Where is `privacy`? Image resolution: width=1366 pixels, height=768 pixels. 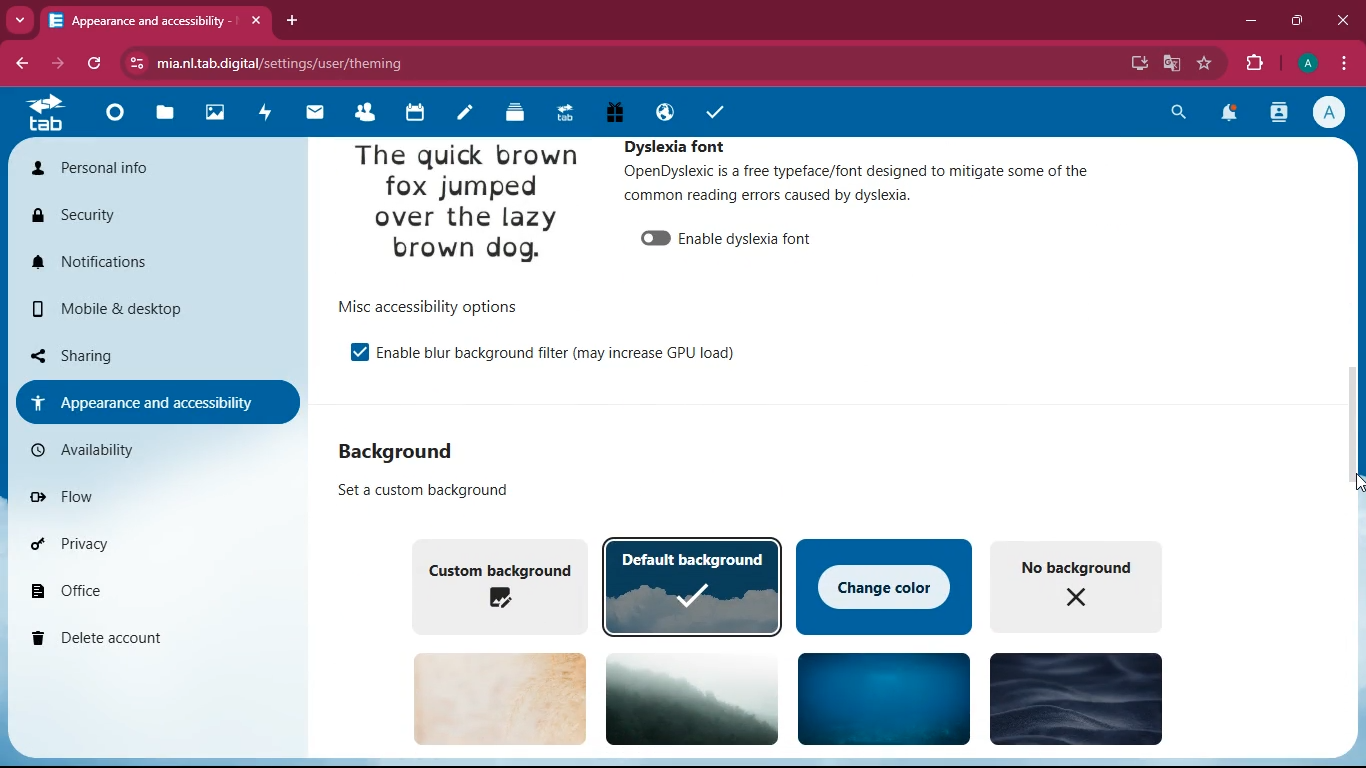
privacy is located at coordinates (137, 543).